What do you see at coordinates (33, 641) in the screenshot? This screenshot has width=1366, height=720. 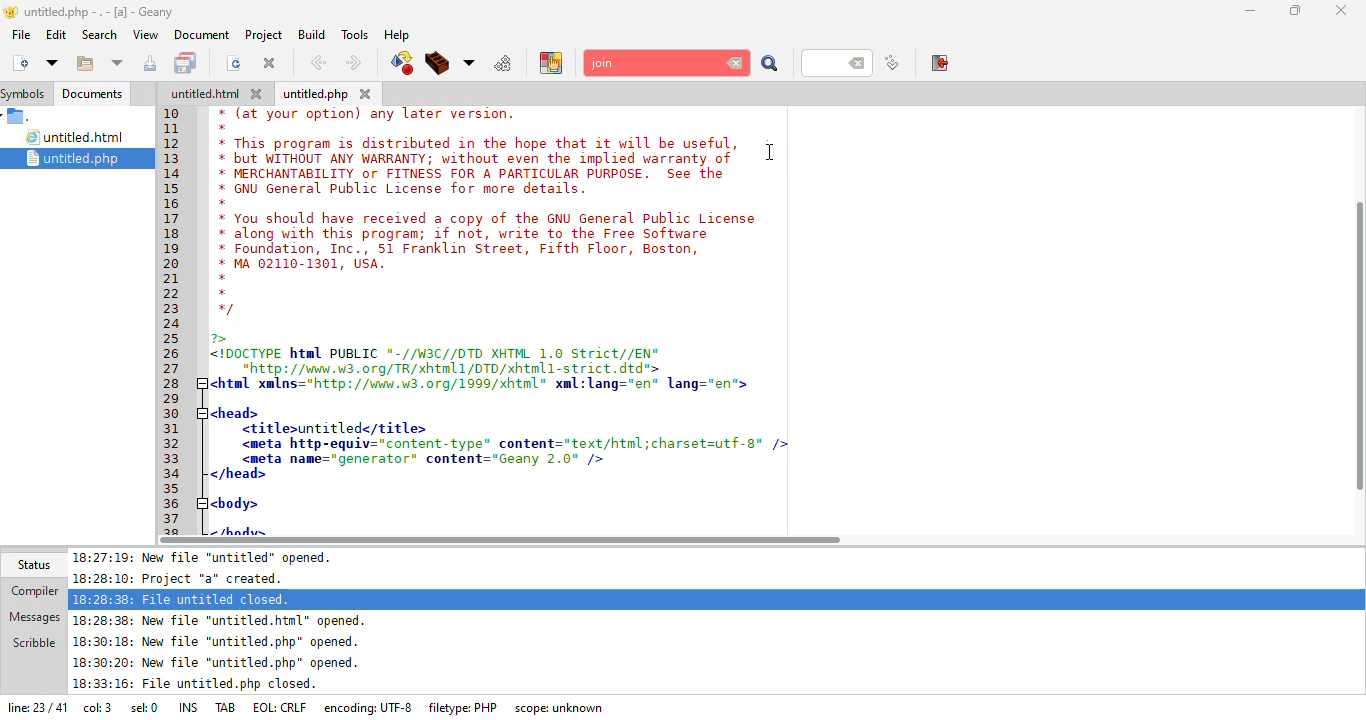 I see `scribble` at bounding box center [33, 641].